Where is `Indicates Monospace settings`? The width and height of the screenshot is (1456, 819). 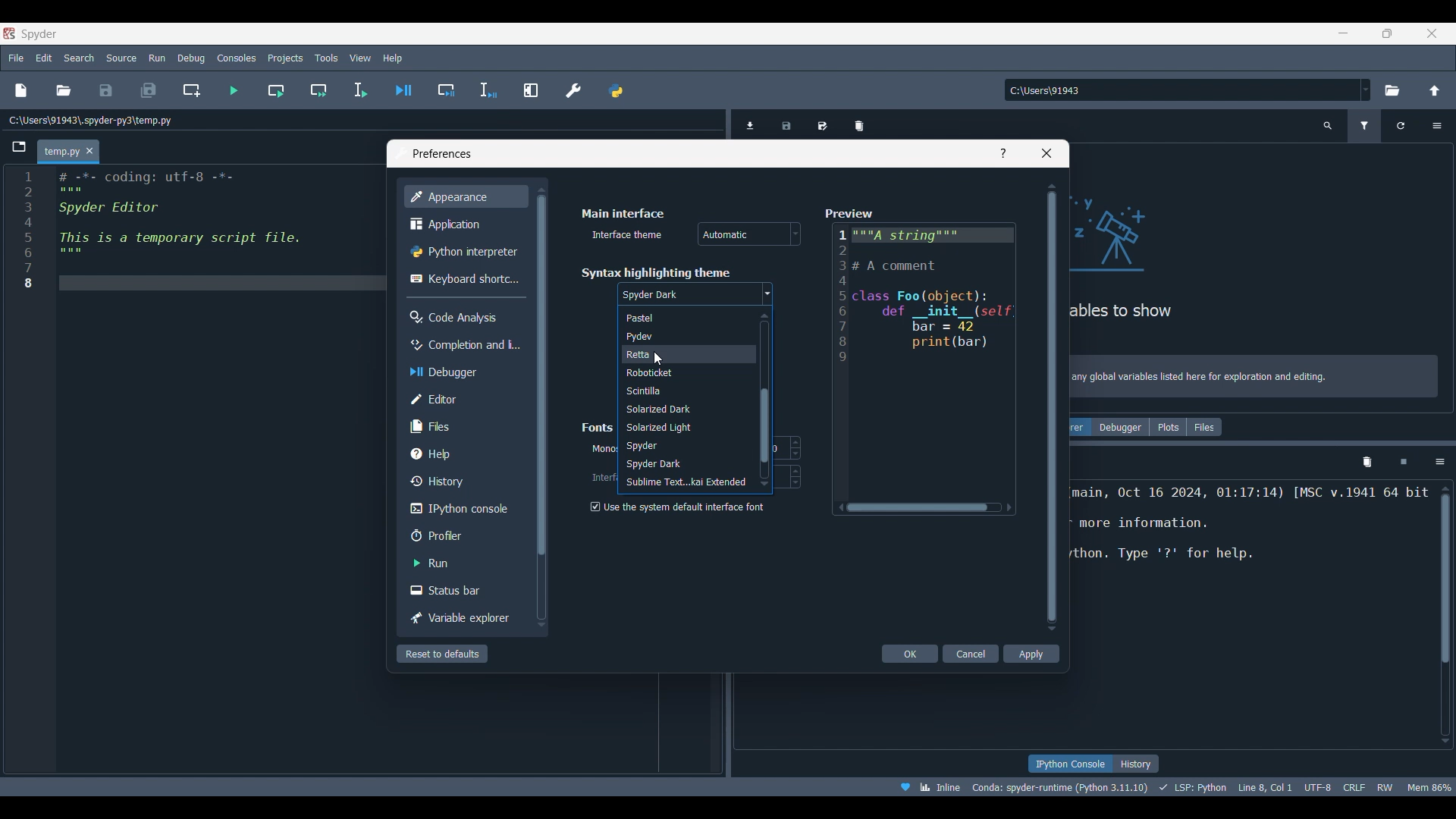 Indicates Monospace settings is located at coordinates (603, 450).